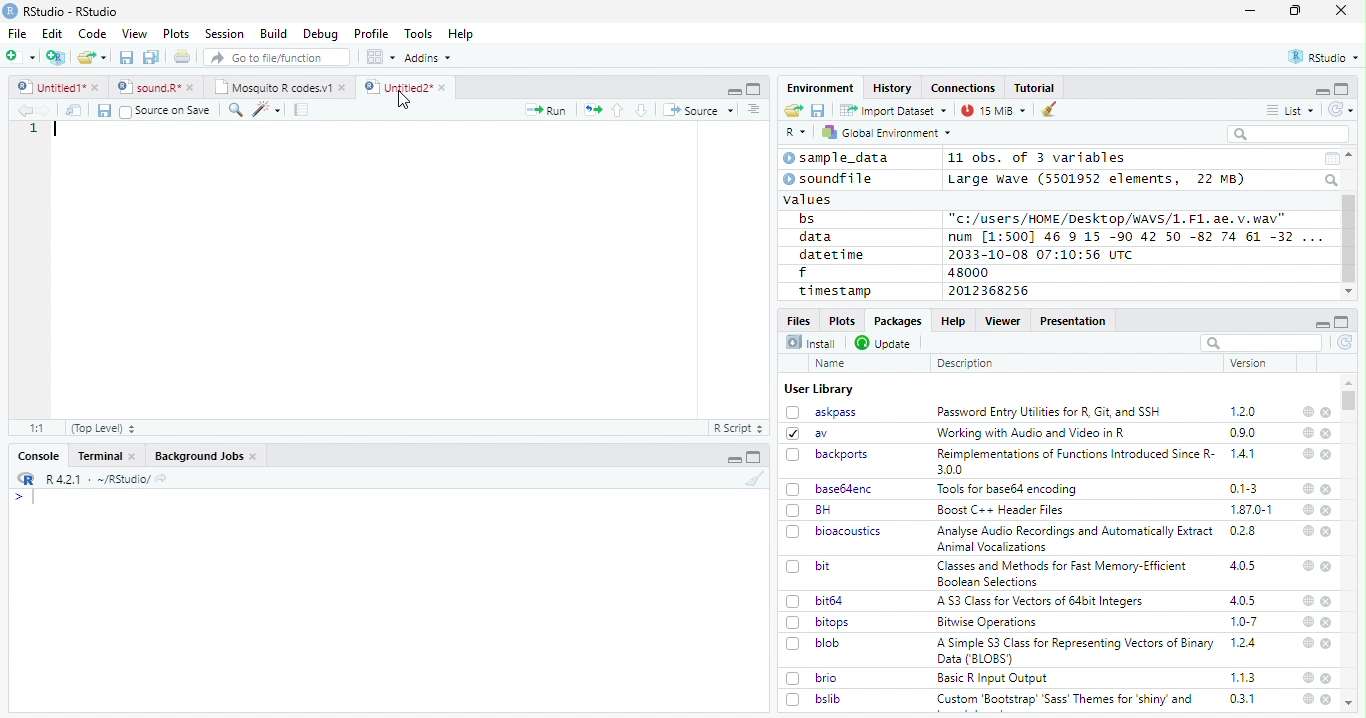 The image size is (1366, 718). What do you see at coordinates (1099, 179) in the screenshot?
I see `Large wave (5501952 elements, 22 MB)` at bounding box center [1099, 179].